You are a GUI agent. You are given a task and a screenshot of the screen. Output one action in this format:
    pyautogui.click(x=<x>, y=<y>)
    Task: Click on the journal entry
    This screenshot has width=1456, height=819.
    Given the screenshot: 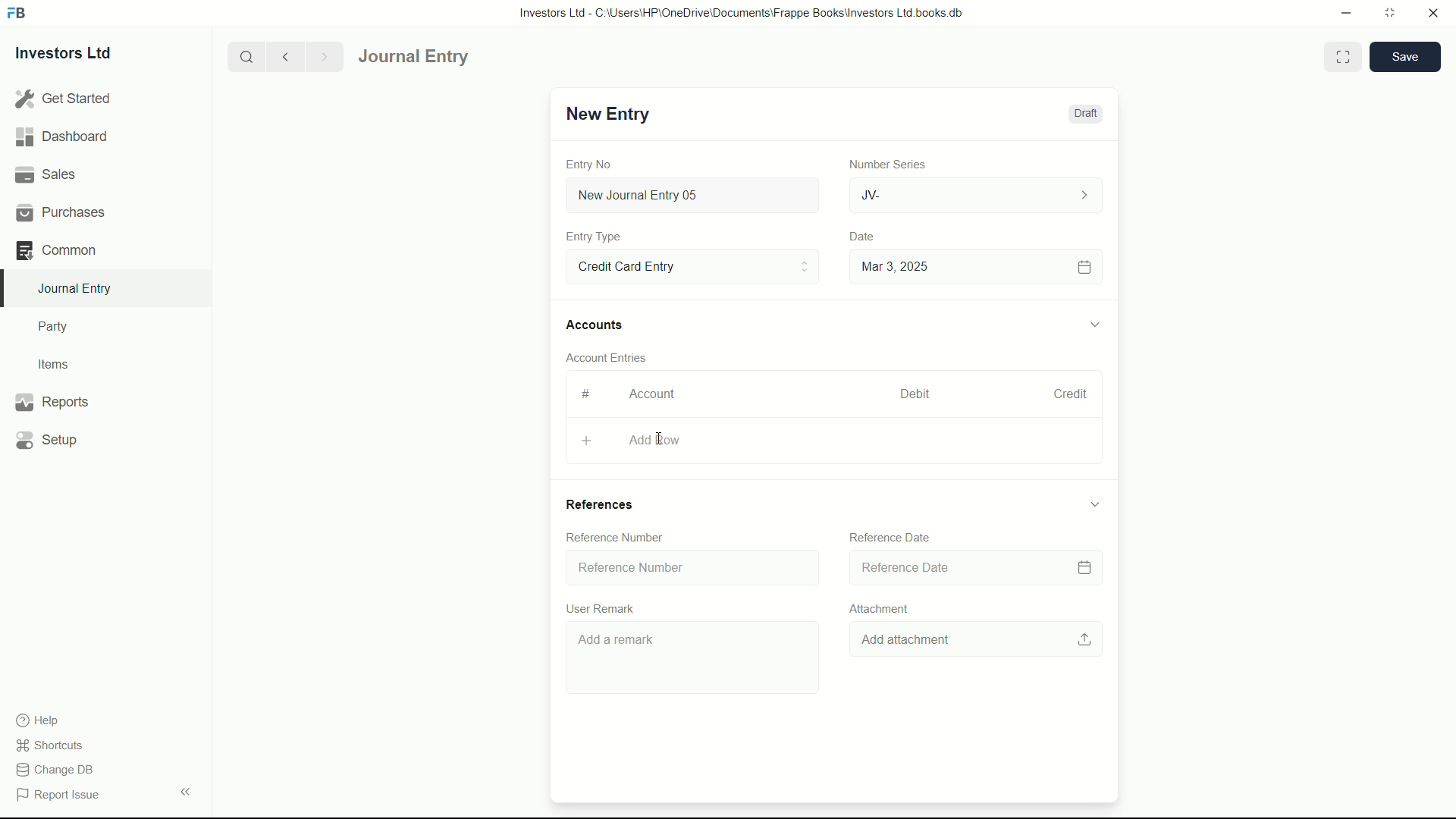 What is the action you would take?
    pyautogui.click(x=457, y=57)
    